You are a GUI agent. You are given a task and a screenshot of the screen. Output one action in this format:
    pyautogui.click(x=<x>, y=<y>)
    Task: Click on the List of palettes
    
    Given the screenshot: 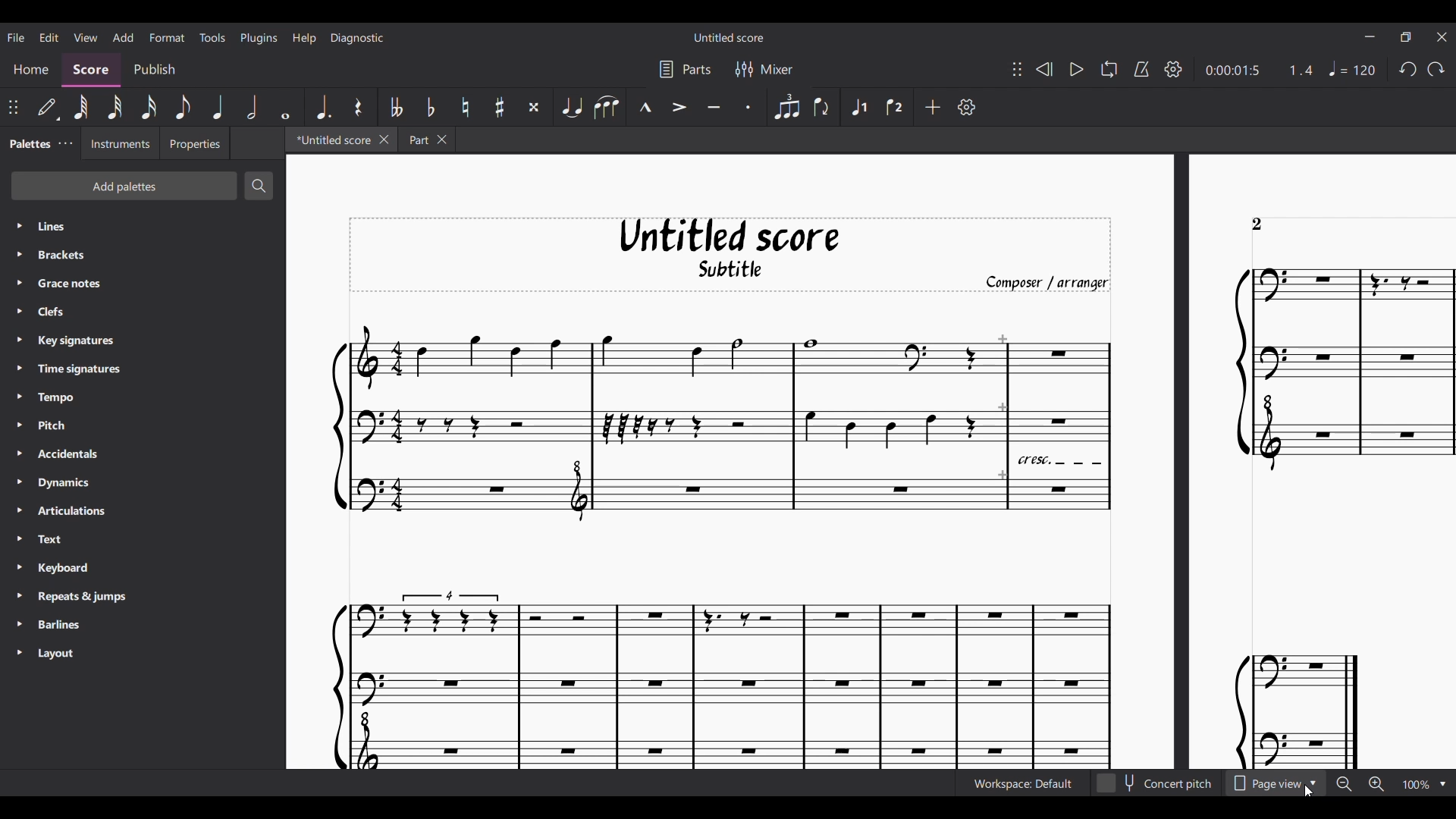 What is the action you would take?
    pyautogui.click(x=158, y=441)
    